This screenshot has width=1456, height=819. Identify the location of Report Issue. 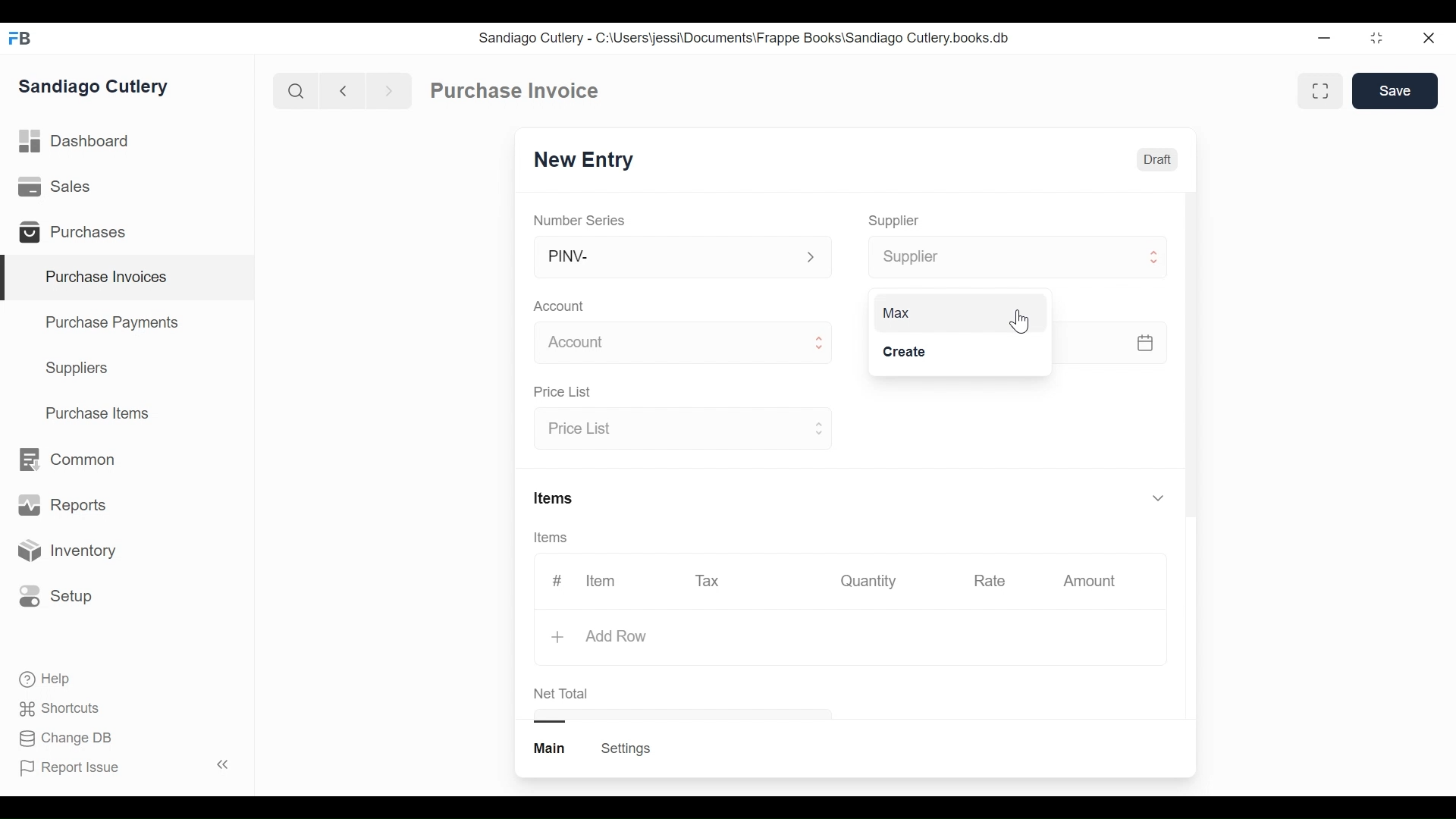
(124, 767).